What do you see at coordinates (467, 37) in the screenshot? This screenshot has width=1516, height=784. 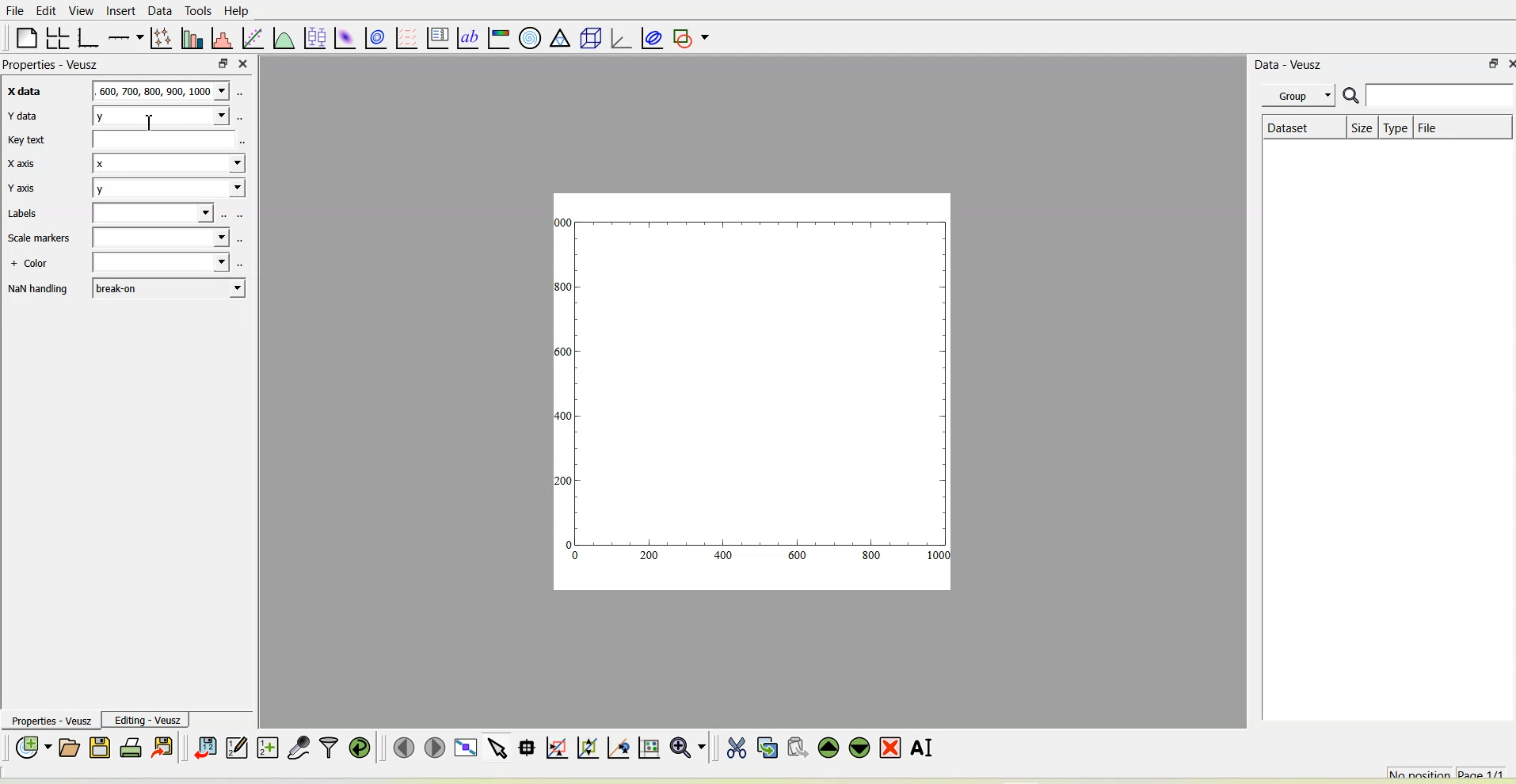 I see `text label` at bounding box center [467, 37].